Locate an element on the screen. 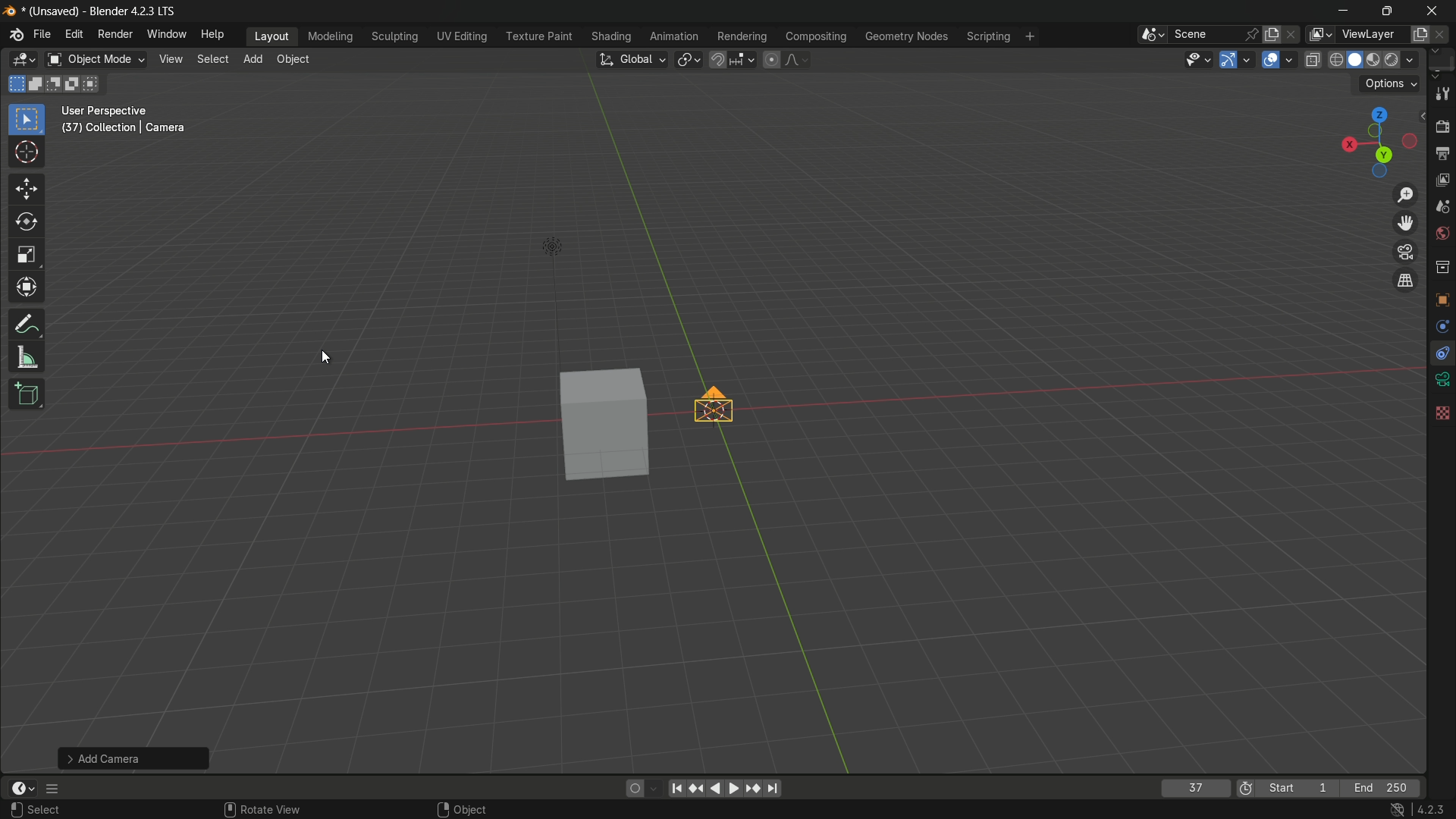 The image size is (1456, 819). annotate is located at coordinates (27, 325).